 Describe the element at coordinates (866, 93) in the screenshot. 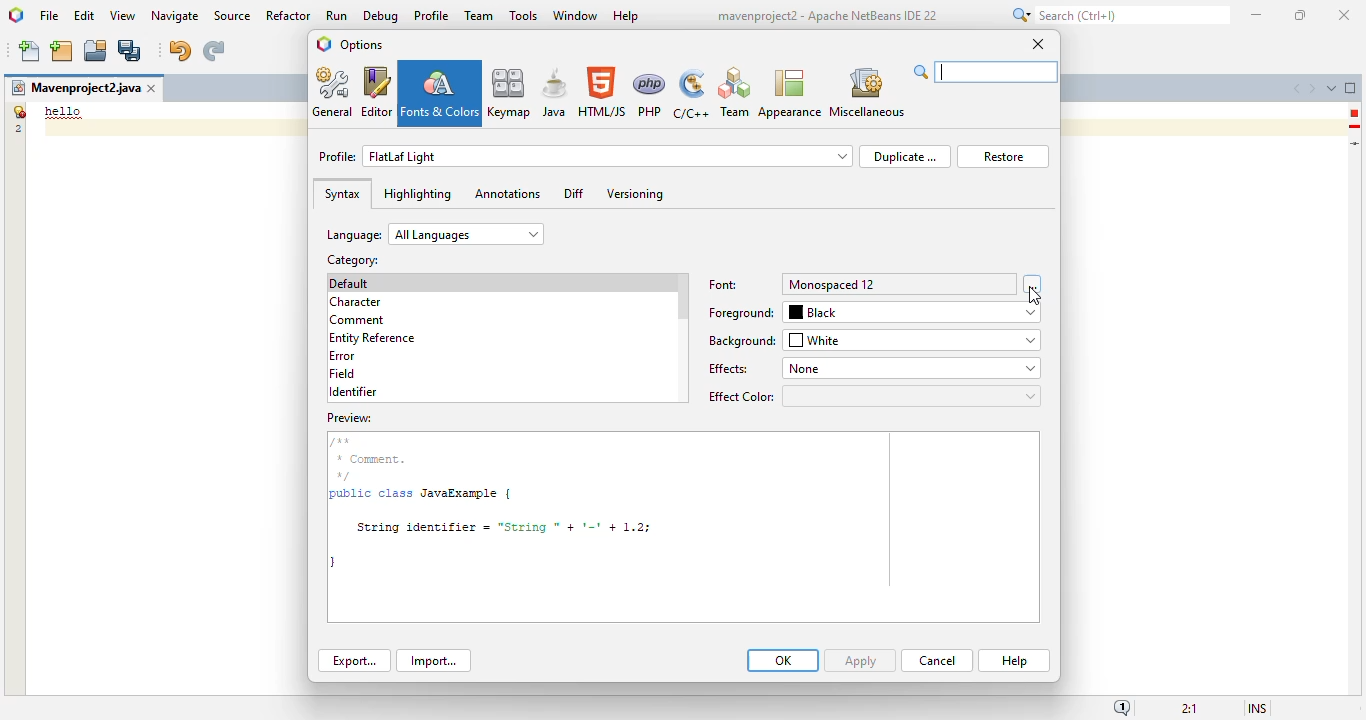

I see `miscellaneous` at that location.